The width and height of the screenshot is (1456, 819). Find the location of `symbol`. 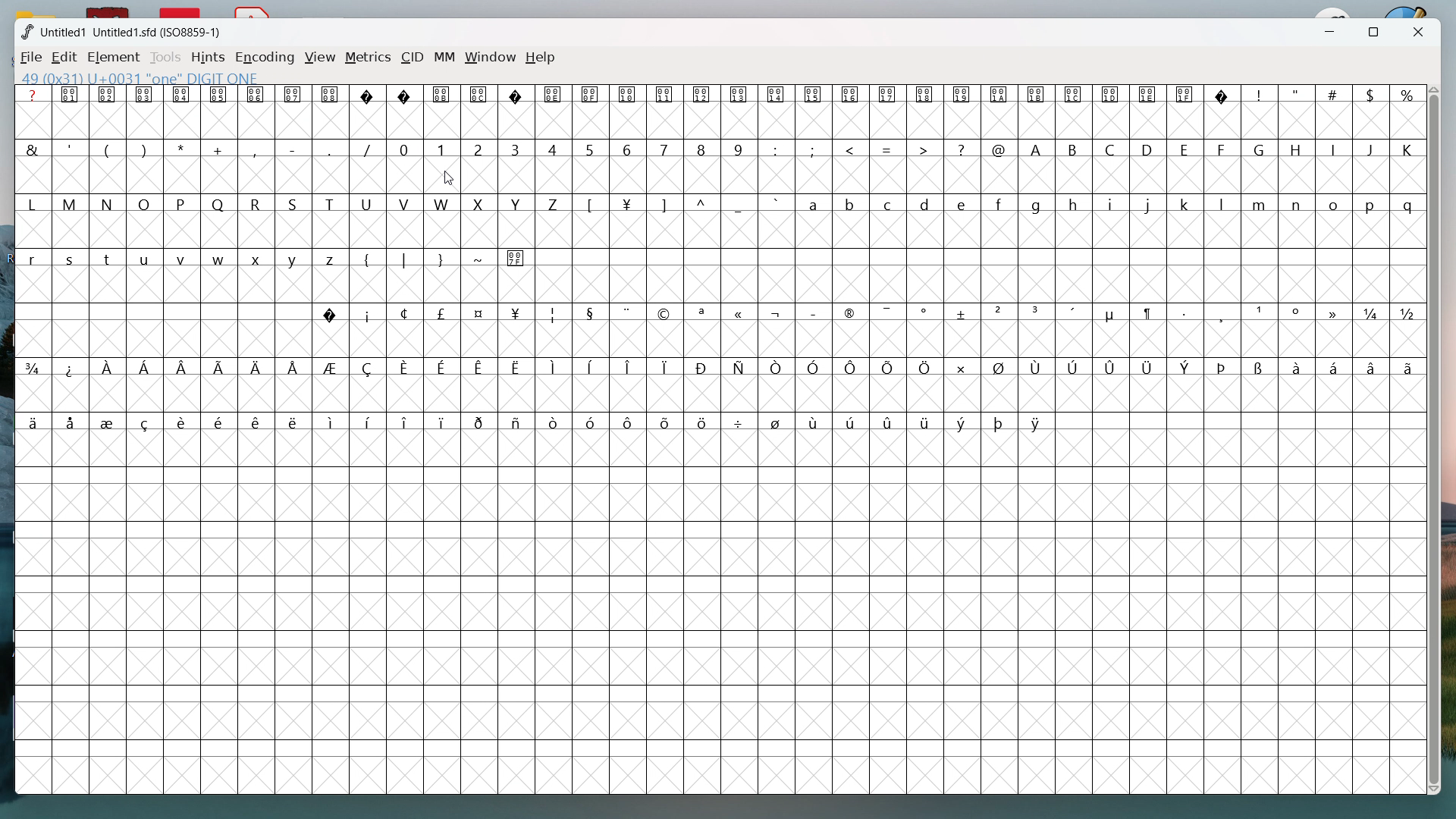

symbol is located at coordinates (371, 368).